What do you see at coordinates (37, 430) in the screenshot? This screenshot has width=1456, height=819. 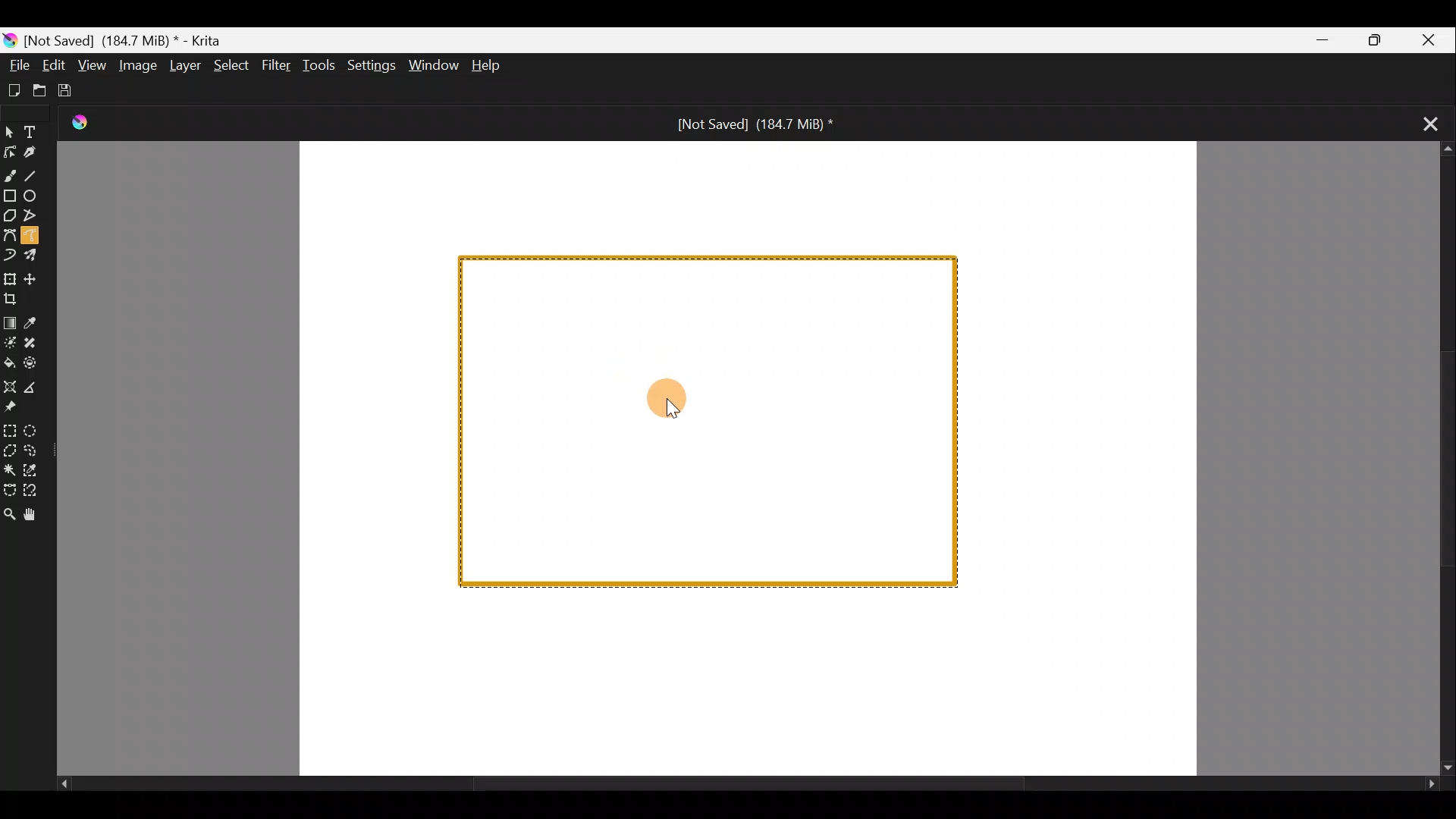 I see `Elliptical selection tool` at bounding box center [37, 430].